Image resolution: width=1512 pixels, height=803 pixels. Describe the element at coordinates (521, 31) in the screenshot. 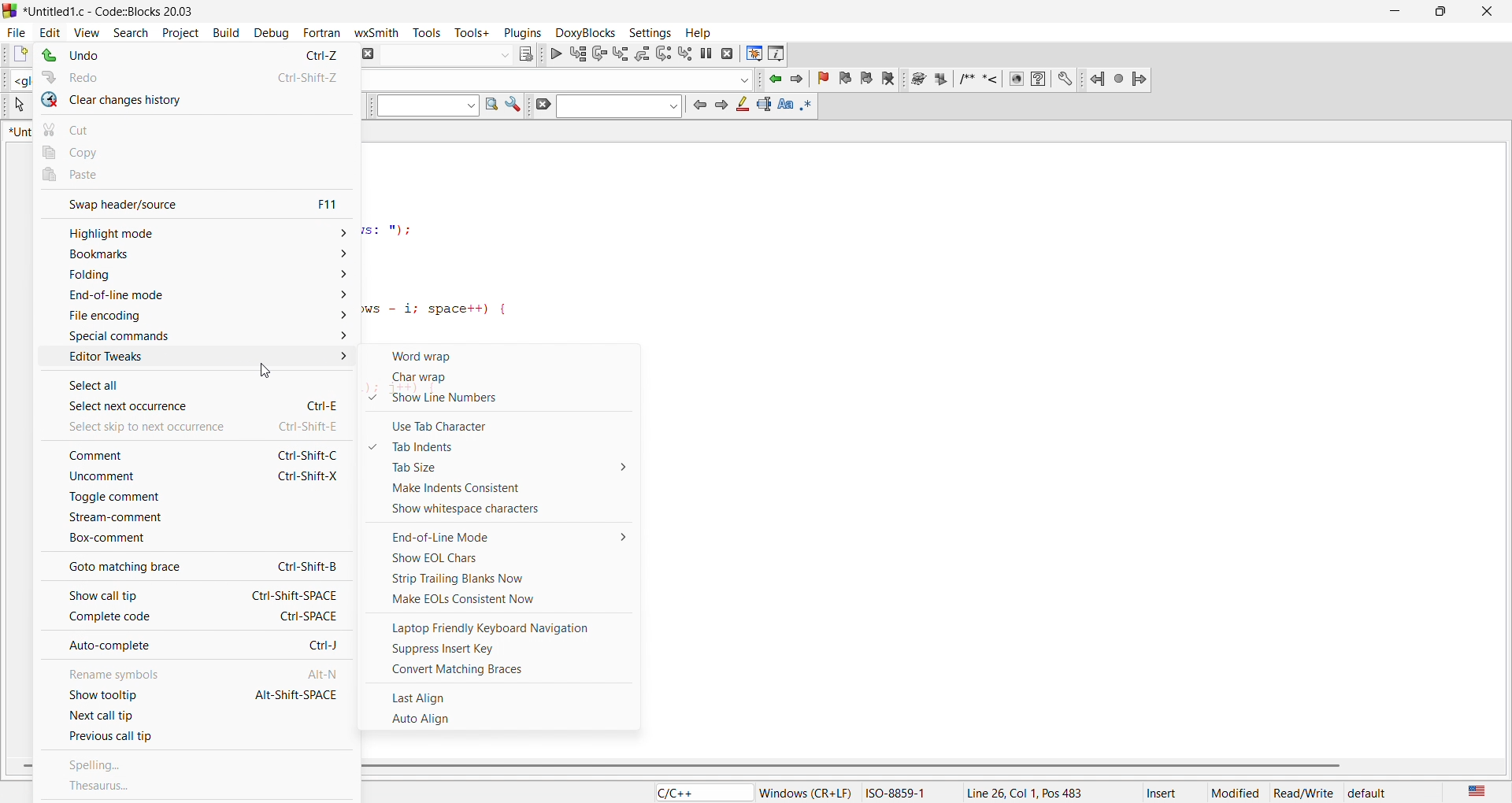

I see `plugins` at that location.